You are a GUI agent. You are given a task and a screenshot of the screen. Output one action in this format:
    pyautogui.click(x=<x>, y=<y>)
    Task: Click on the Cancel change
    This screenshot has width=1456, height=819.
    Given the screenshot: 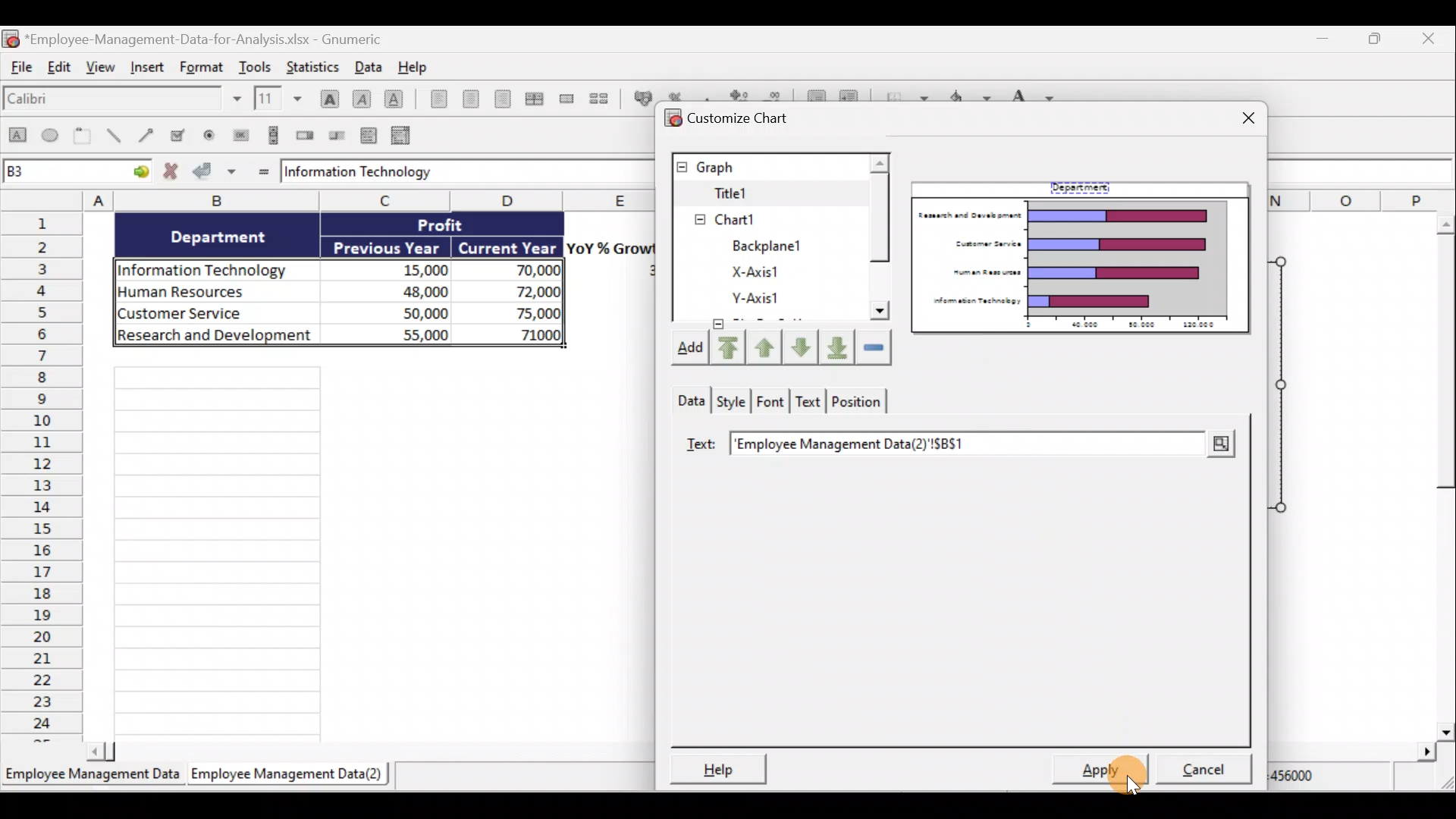 What is the action you would take?
    pyautogui.click(x=174, y=172)
    